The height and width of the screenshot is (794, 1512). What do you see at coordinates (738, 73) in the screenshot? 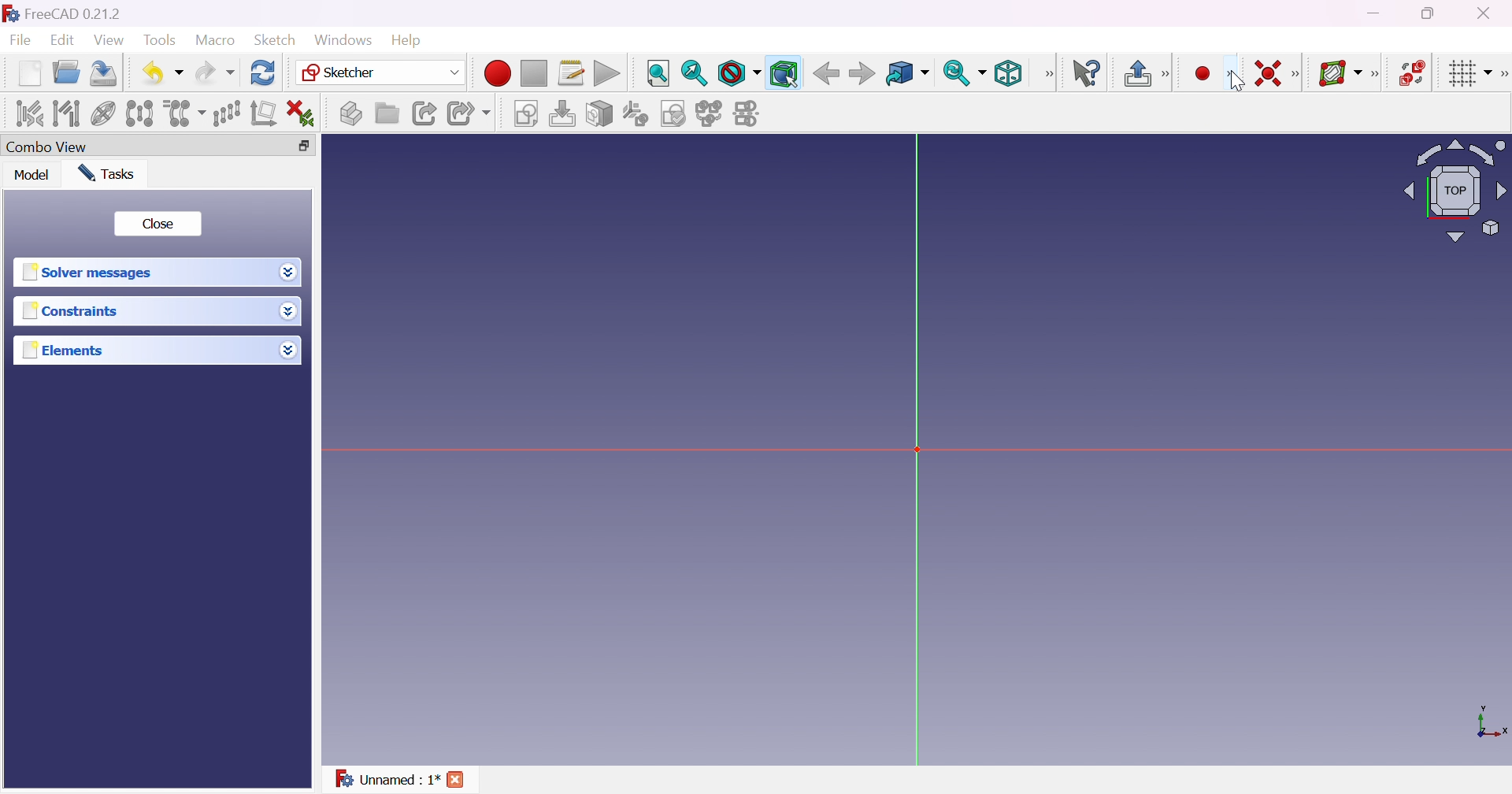
I see `Draw style` at bounding box center [738, 73].